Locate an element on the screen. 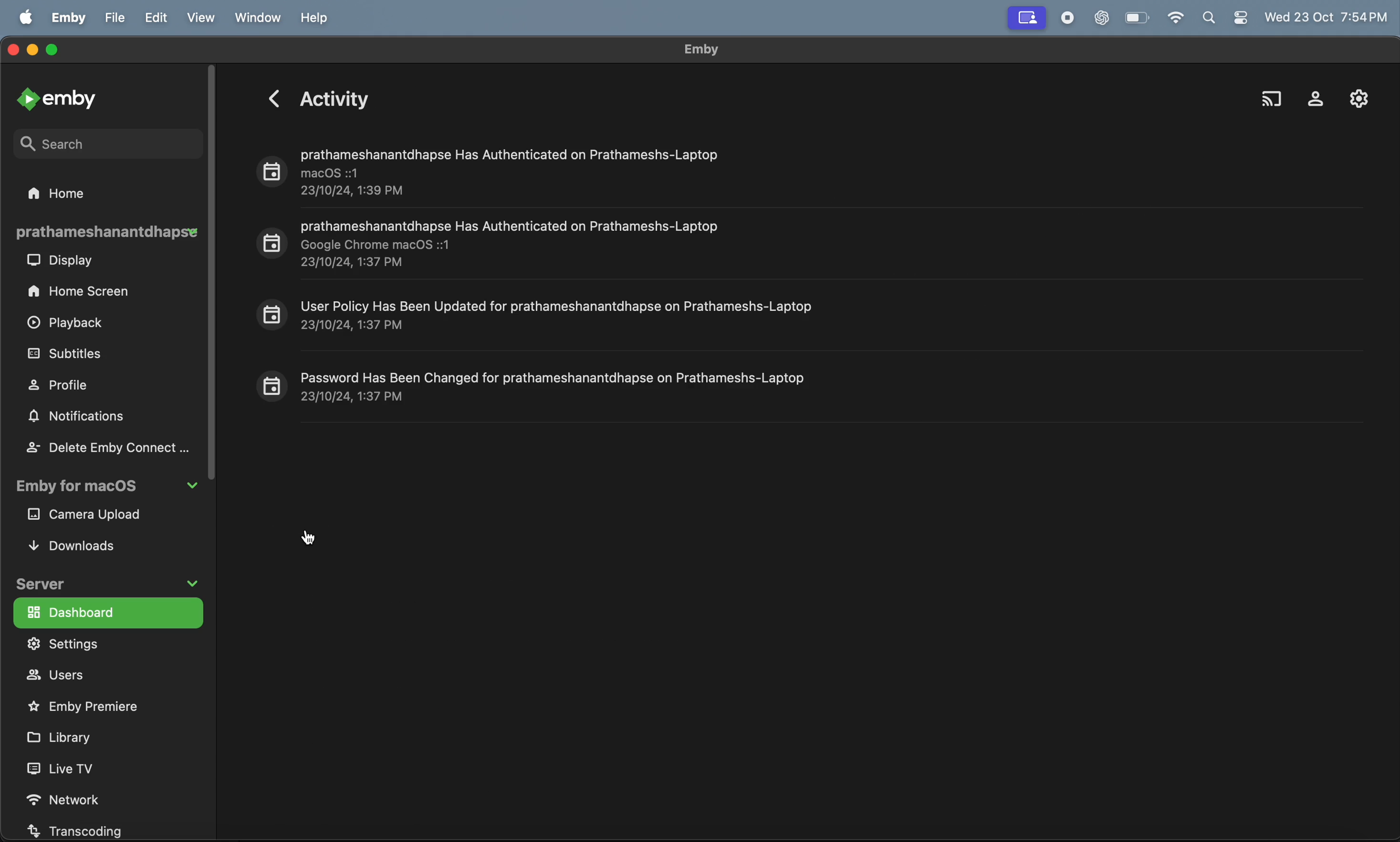 The width and height of the screenshot is (1400, 842). help is located at coordinates (318, 18).